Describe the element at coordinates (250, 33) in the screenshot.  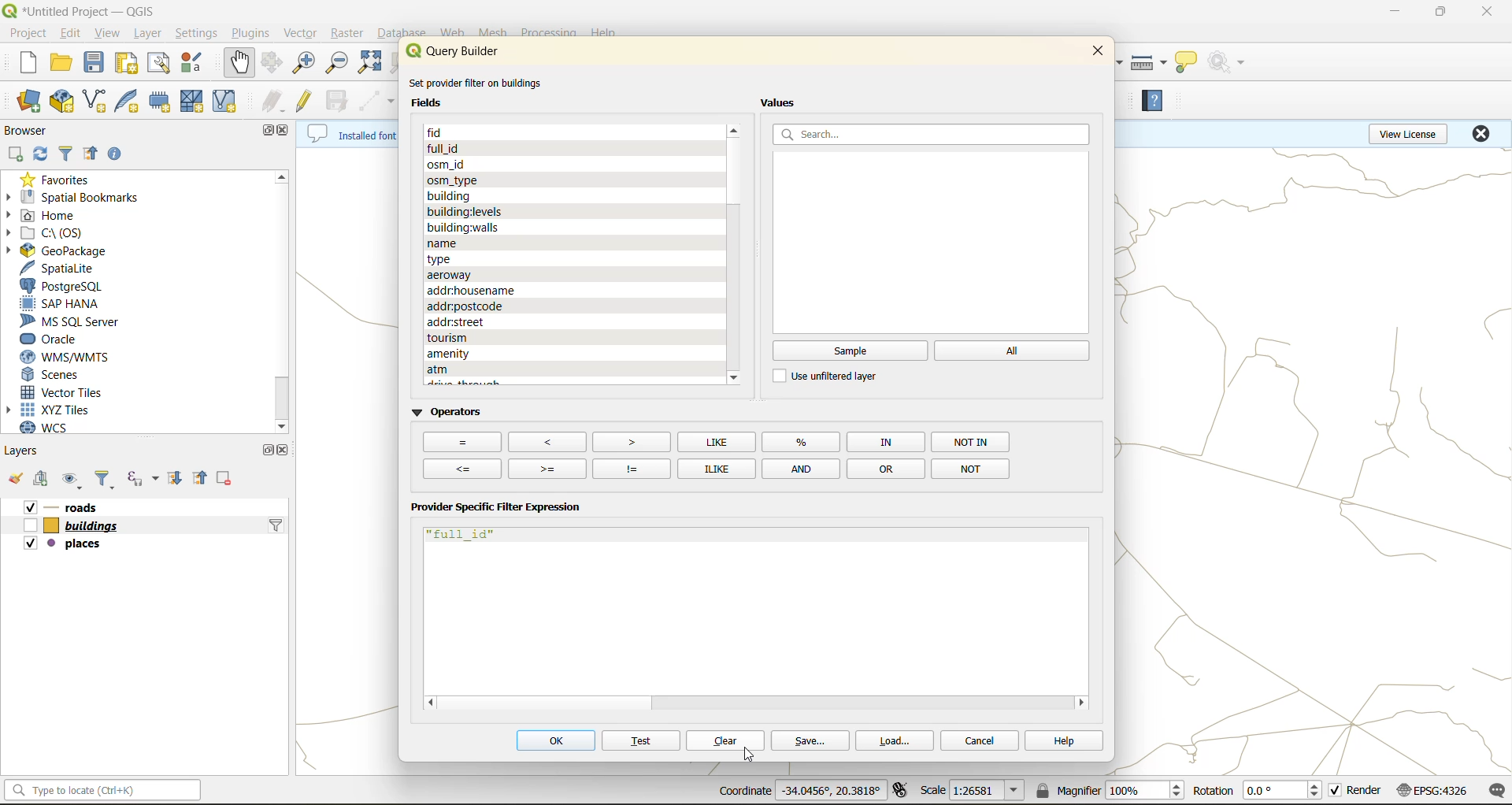
I see `plugins` at that location.